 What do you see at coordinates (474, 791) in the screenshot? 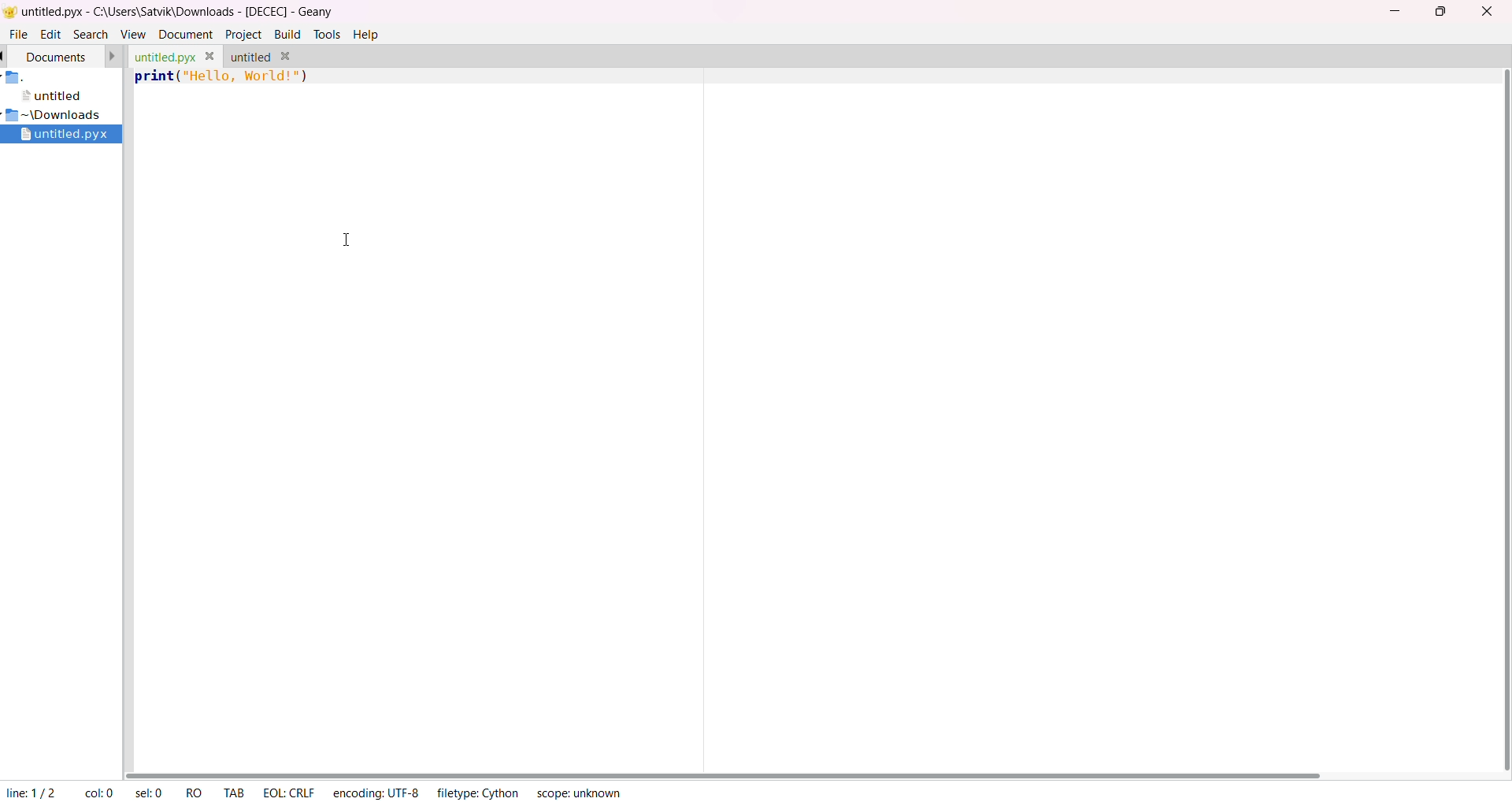
I see `filetype: Cython` at bounding box center [474, 791].